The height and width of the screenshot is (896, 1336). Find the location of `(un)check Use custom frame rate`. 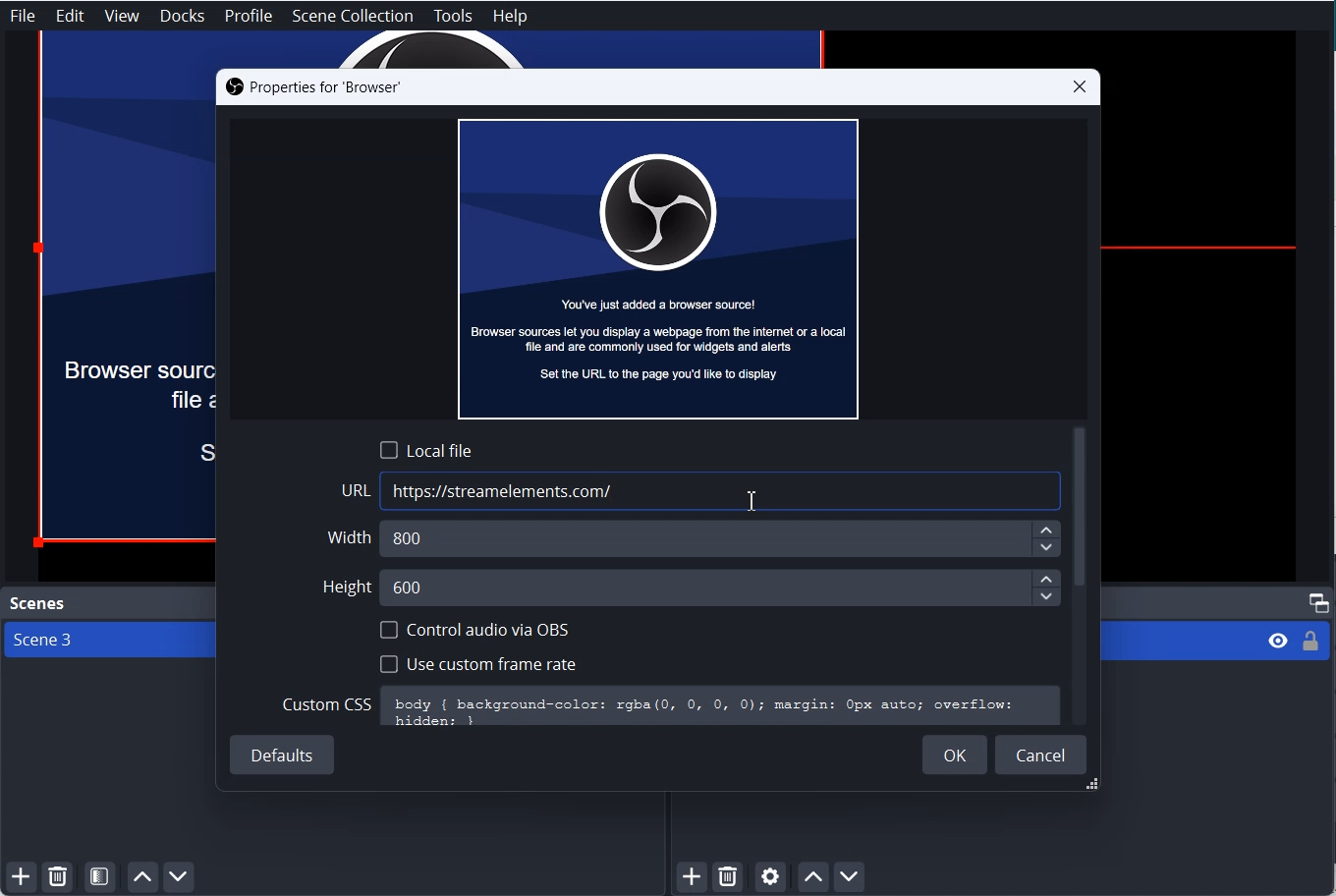

(un)check Use custom frame rate is located at coordinates (477, 662).